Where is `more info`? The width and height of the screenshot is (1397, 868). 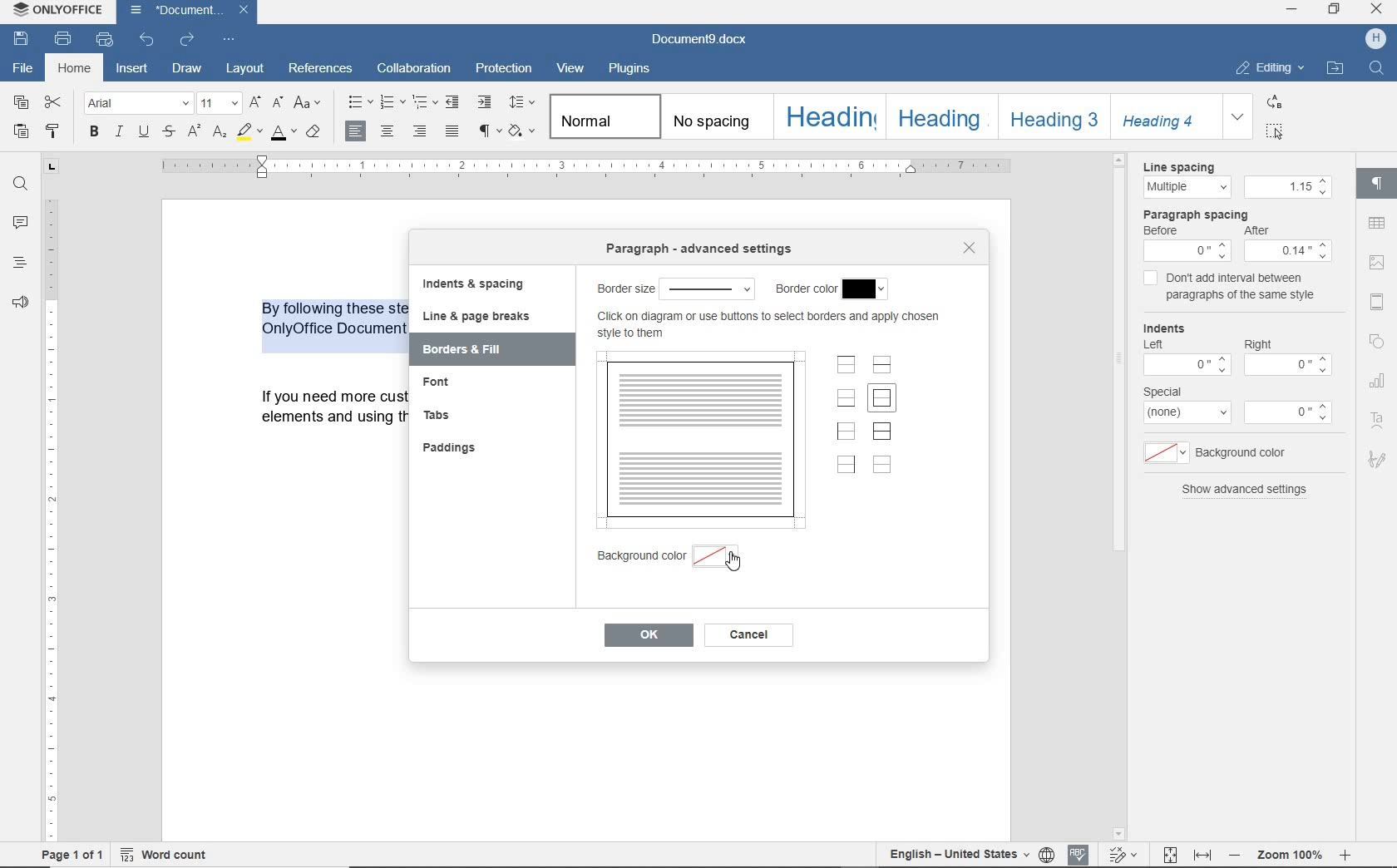 more info is located at coordinates (766, 326).